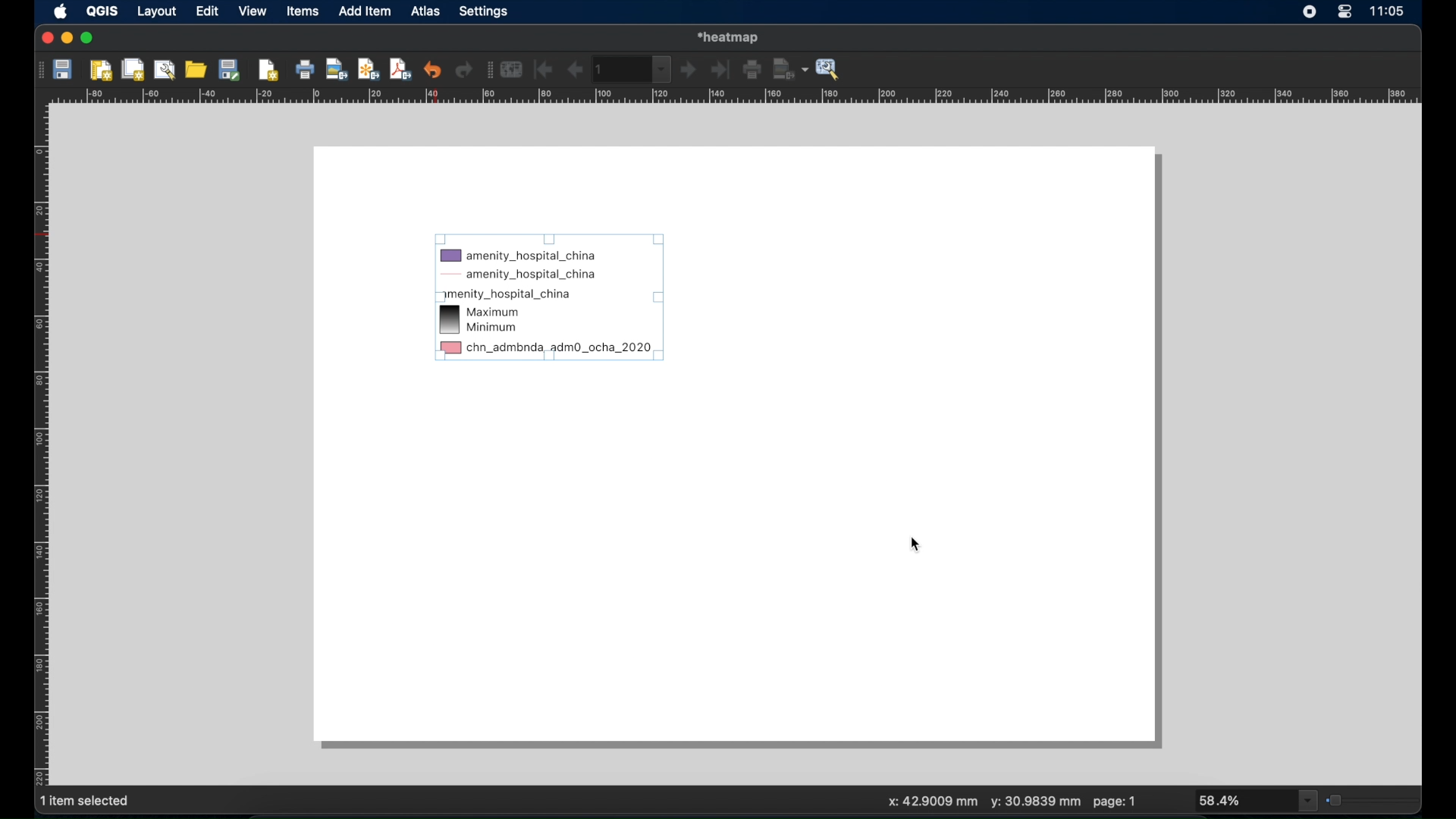  I want to click on add items from template, so click(197, 69).